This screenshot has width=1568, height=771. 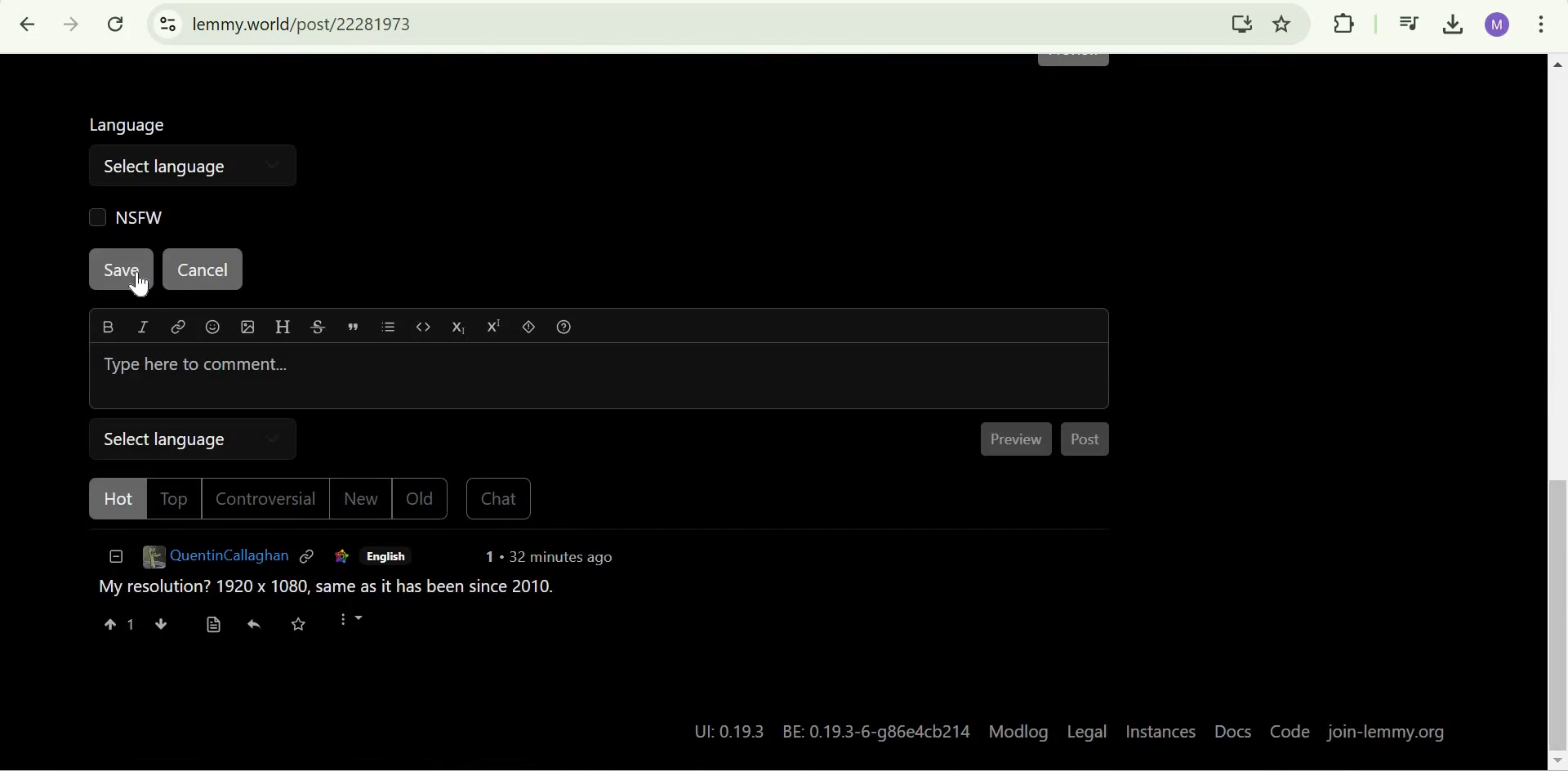 What do you see at coordinates (118, 626) in the screenshot?
I see `1 upvote` at bounding box center [118, 626].